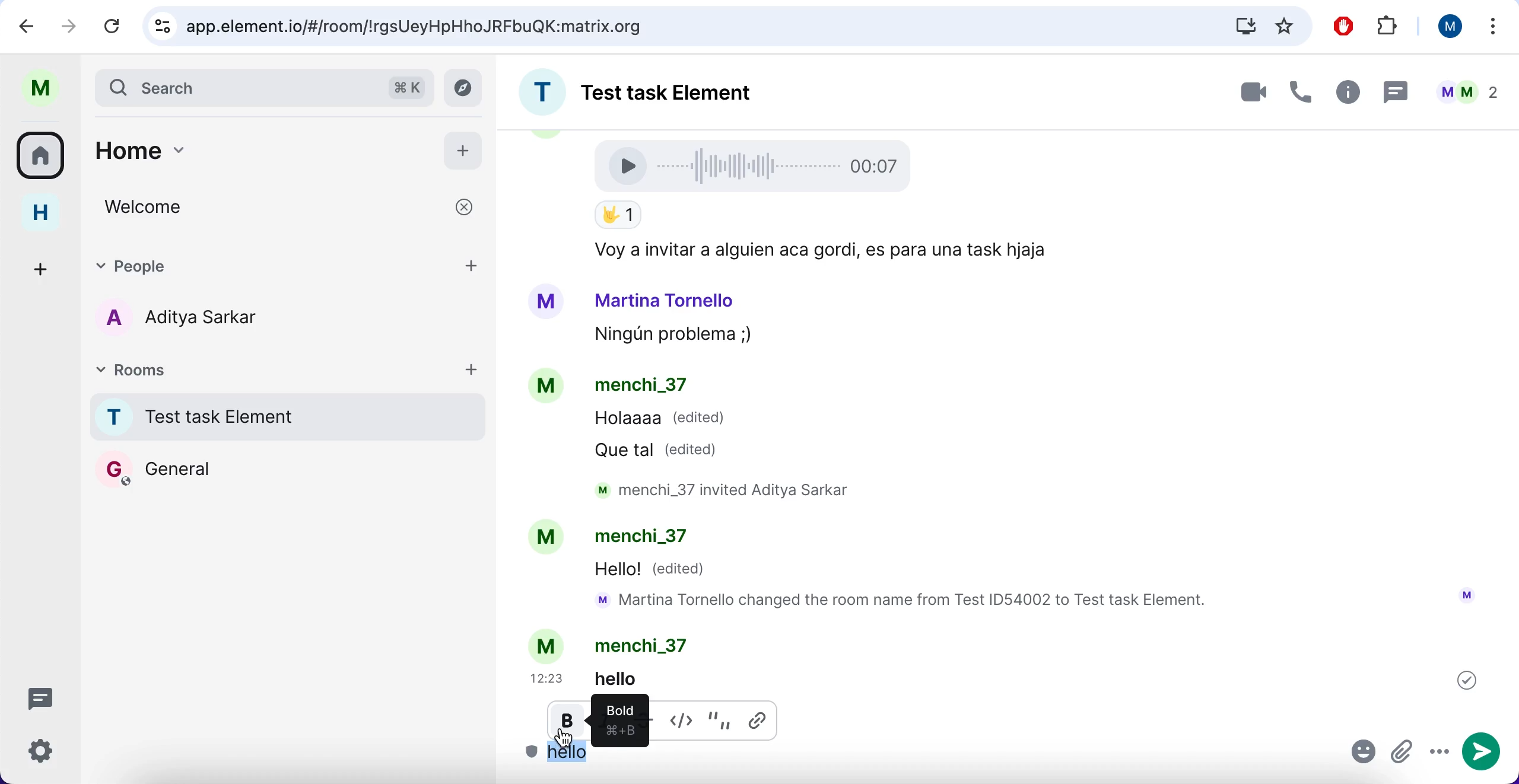 This screenshot has height=784, width=1519. Describe the element at coordinates (545, 538) in the screenshot. I see `Avatar` at that location.